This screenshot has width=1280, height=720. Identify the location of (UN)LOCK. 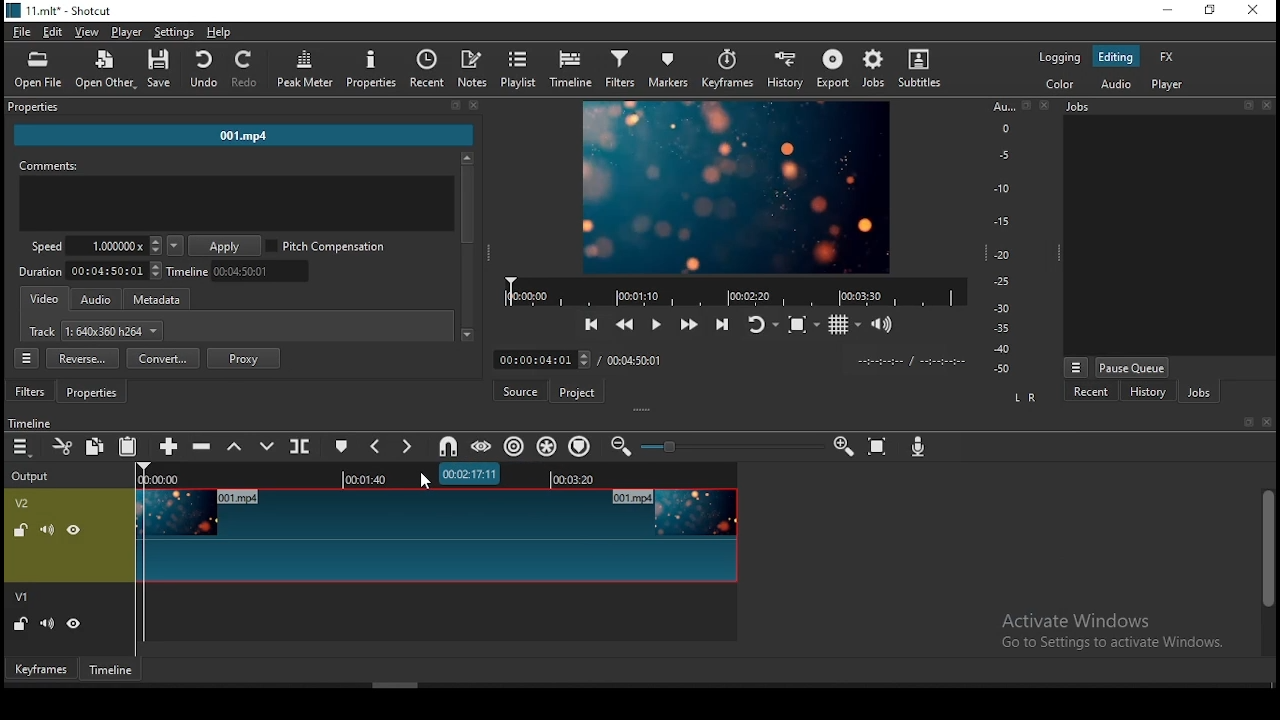
(17, 528).